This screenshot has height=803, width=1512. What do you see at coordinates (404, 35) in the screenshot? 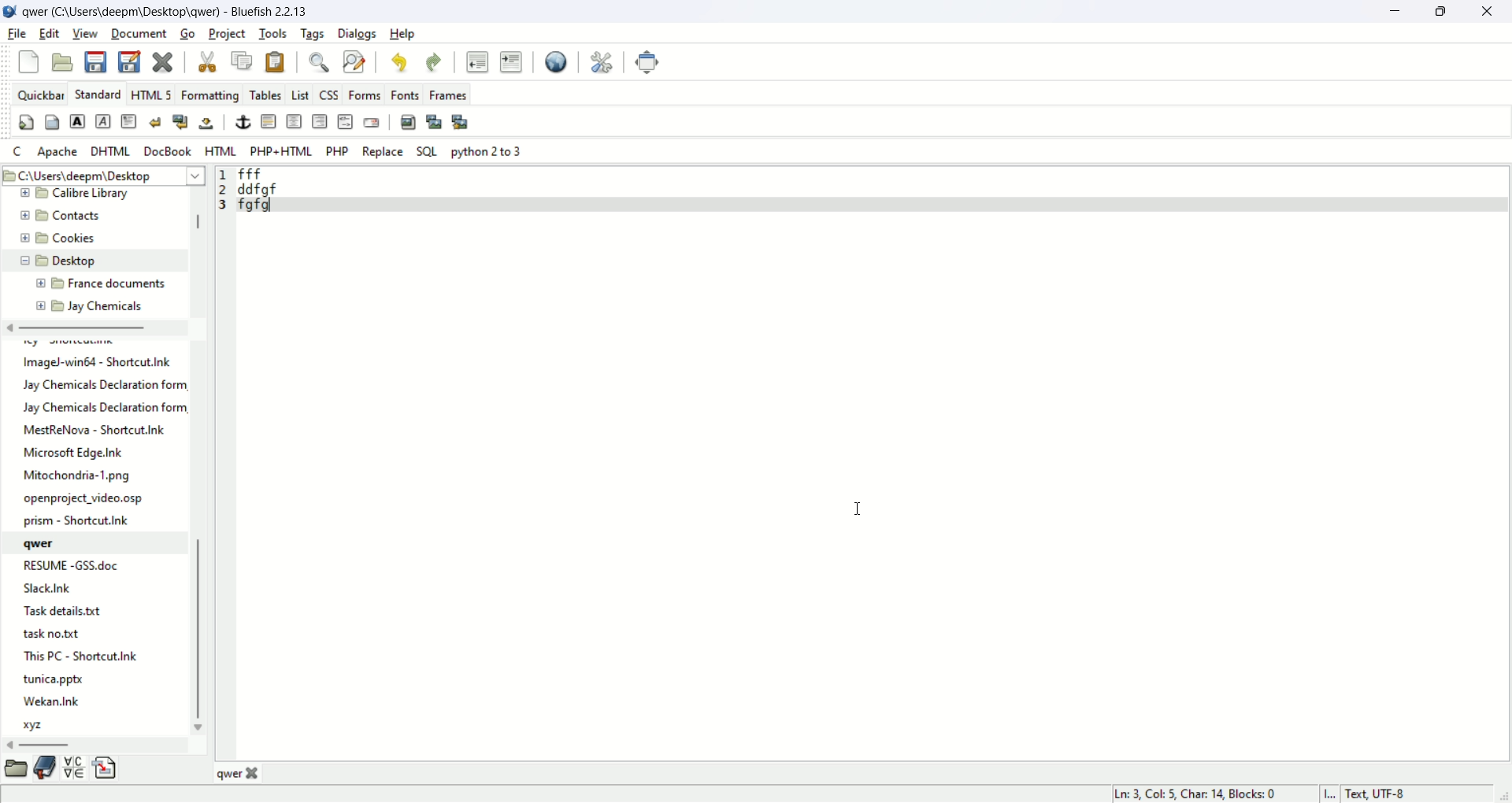
I see `help` at bounding box center [404, 35].